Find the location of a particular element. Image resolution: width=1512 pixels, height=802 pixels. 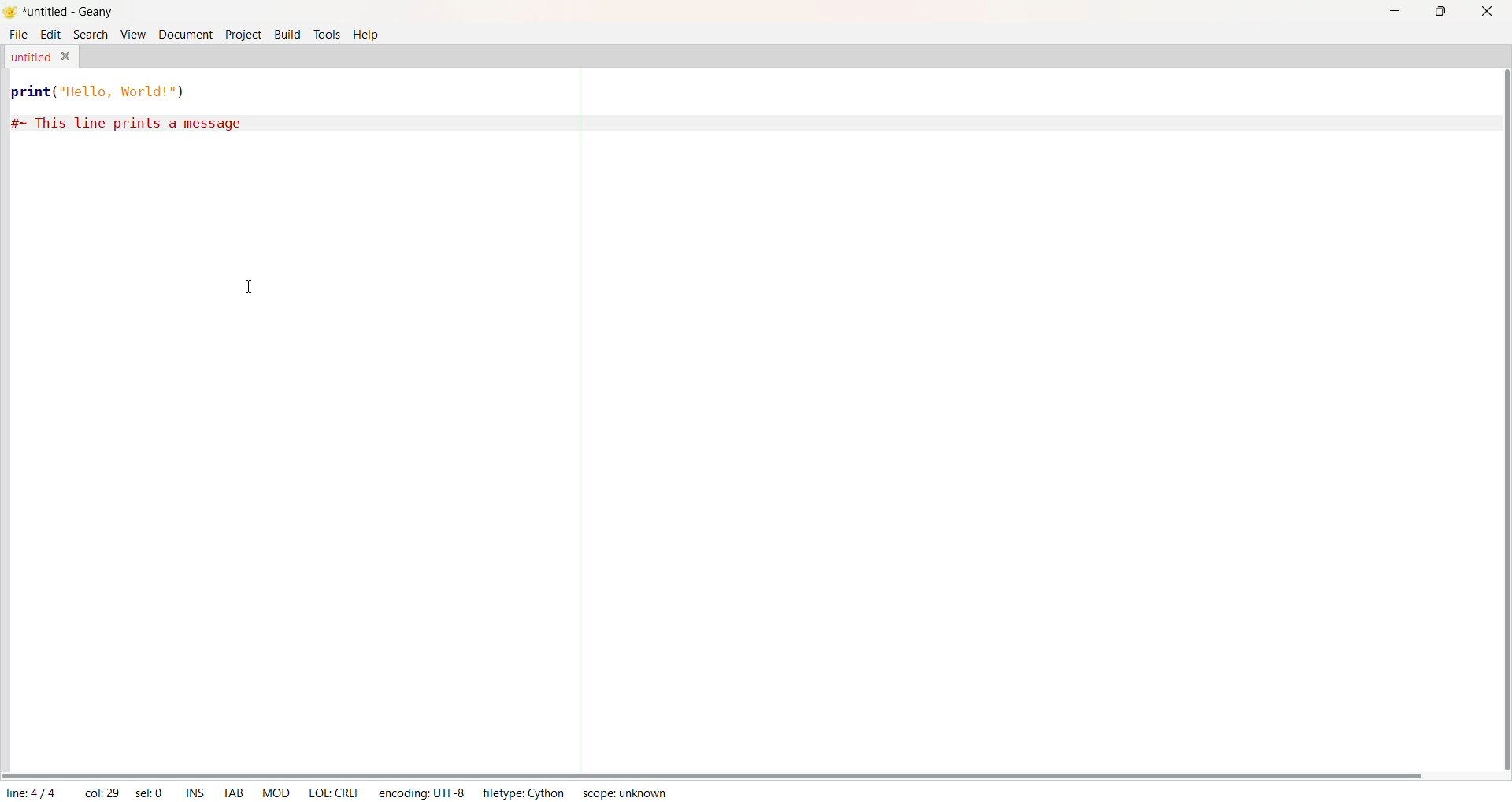

Scope: unknown is located at coordinates (624, 793).